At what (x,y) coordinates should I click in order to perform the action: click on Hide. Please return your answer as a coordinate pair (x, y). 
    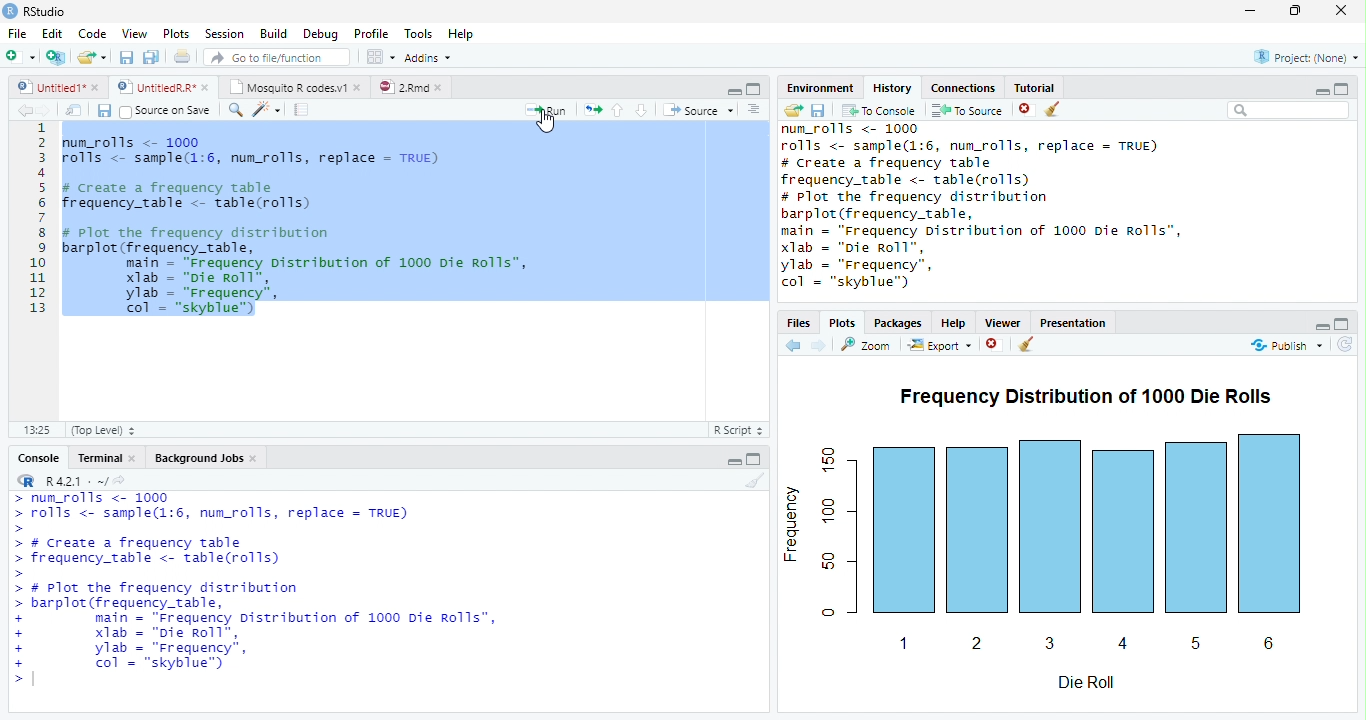
    Looking at the image, I should click on (732, 91).